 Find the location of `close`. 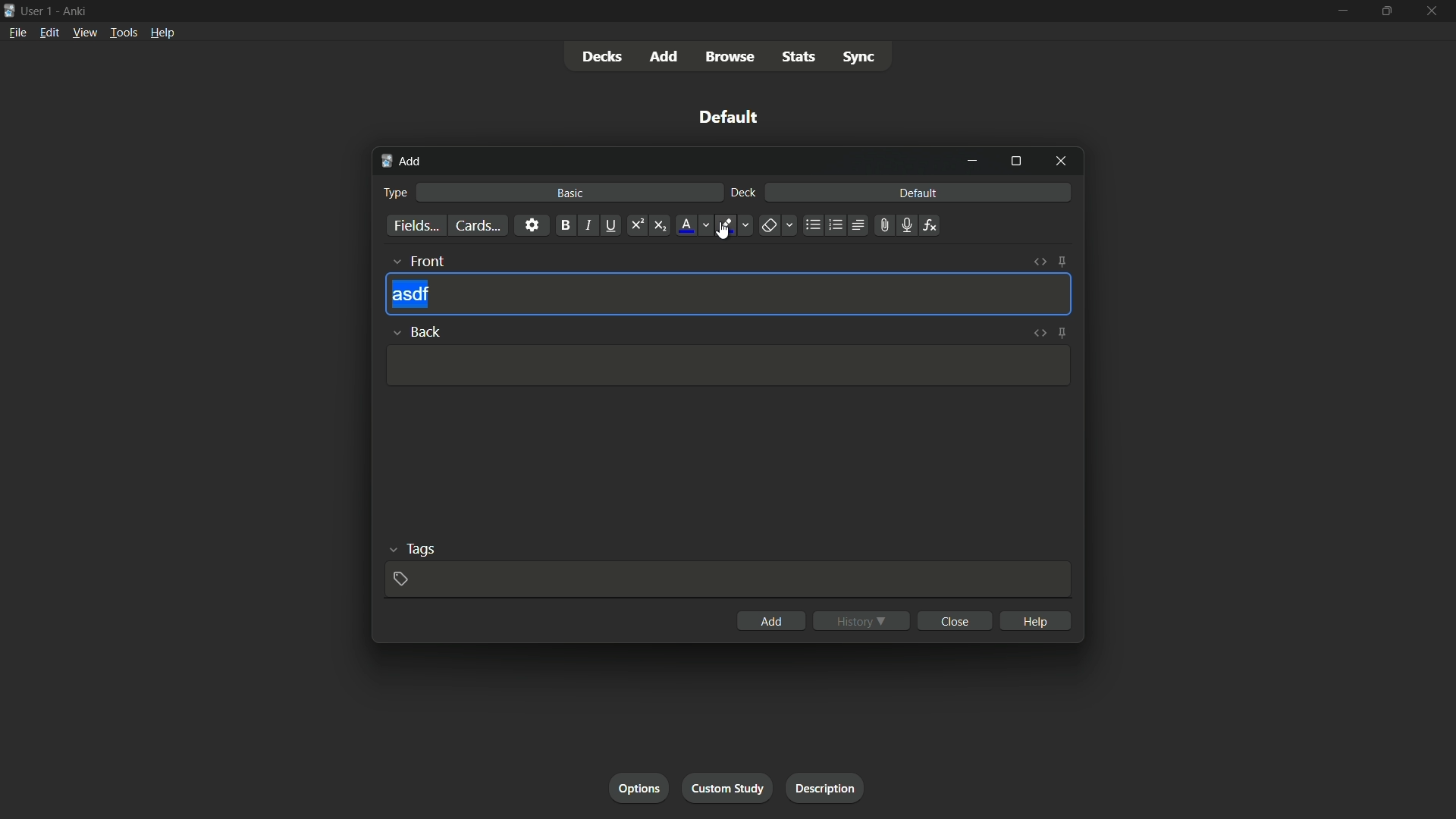

close is located at coordinates (955, 620).